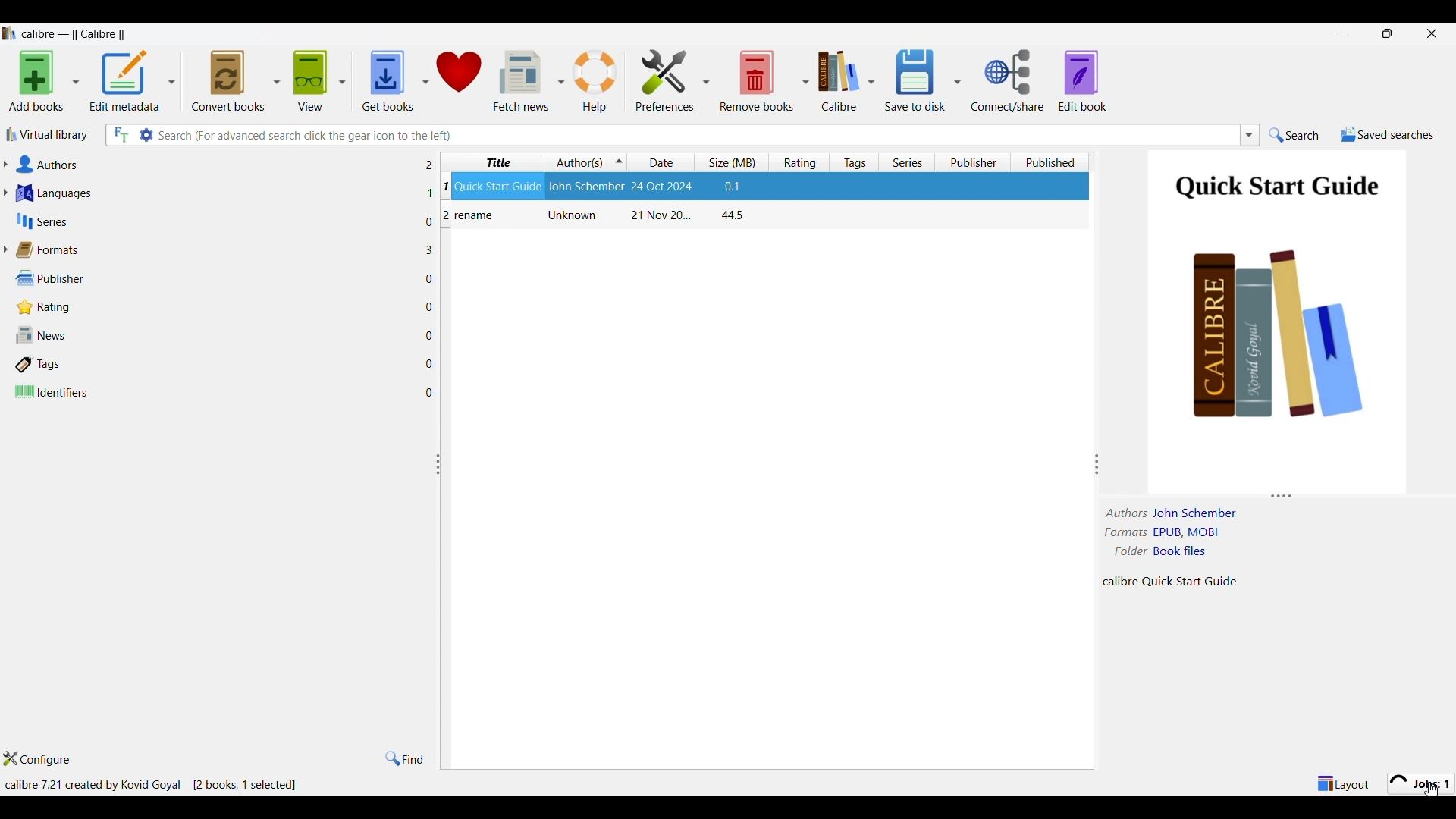 The width and height of the screenshot is (1456, 819). Describe the element at coordinates (1432, 787) in the screenshot. I see `cursor` at that location.